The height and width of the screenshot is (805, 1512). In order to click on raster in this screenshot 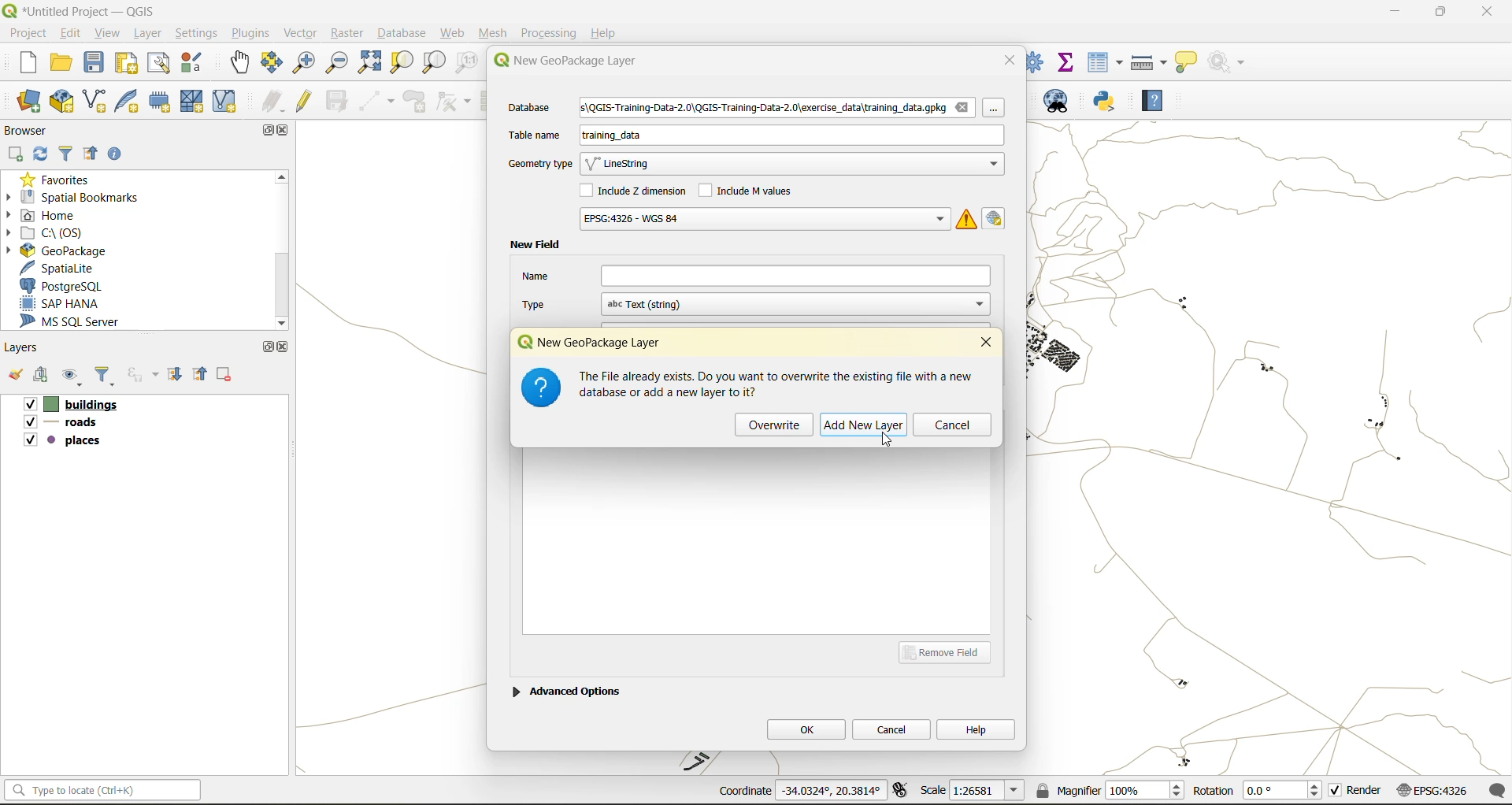, I will do `click(347, 34)`.